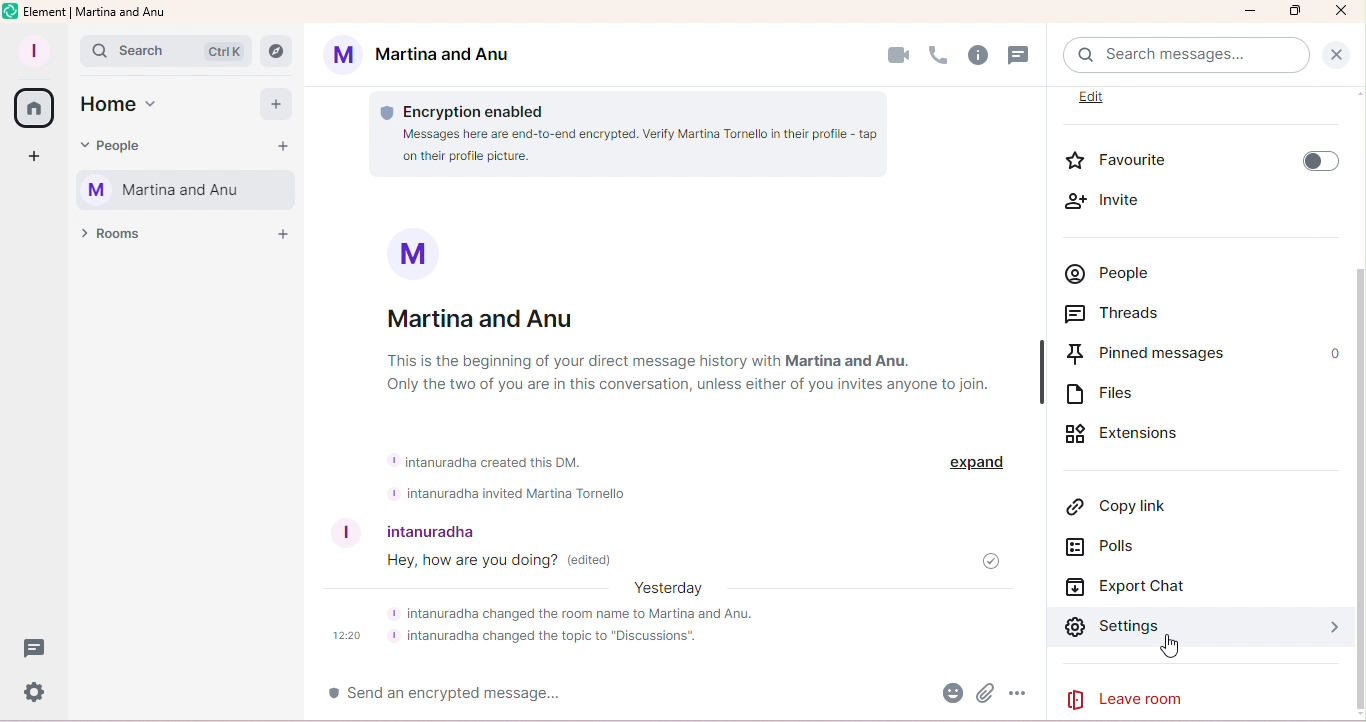  Describe the element at coordinates (1338, 55) in the screenshot. I see `Close` at that location.